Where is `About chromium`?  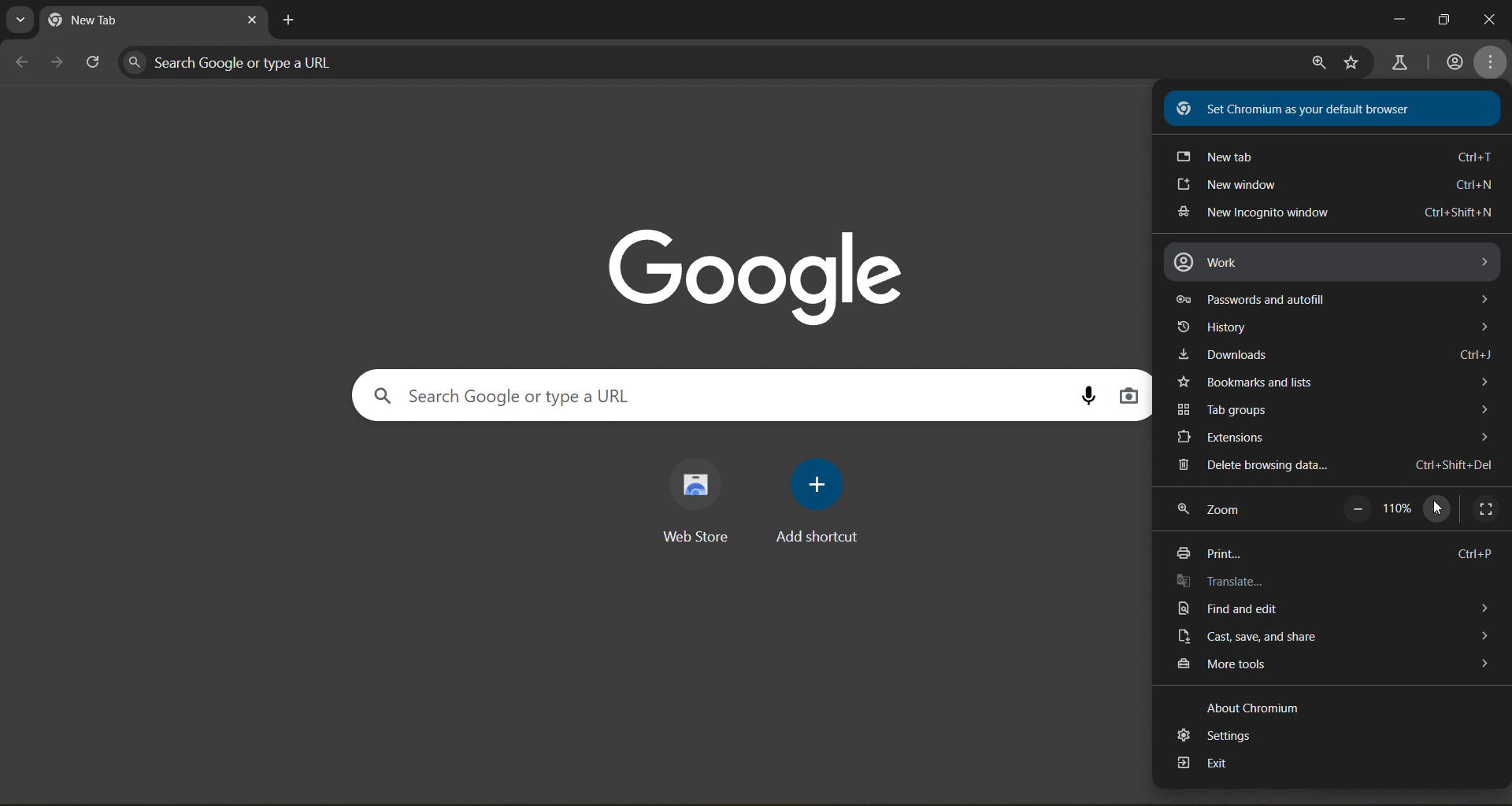 About chromium is located at coordinates (1254, 708).